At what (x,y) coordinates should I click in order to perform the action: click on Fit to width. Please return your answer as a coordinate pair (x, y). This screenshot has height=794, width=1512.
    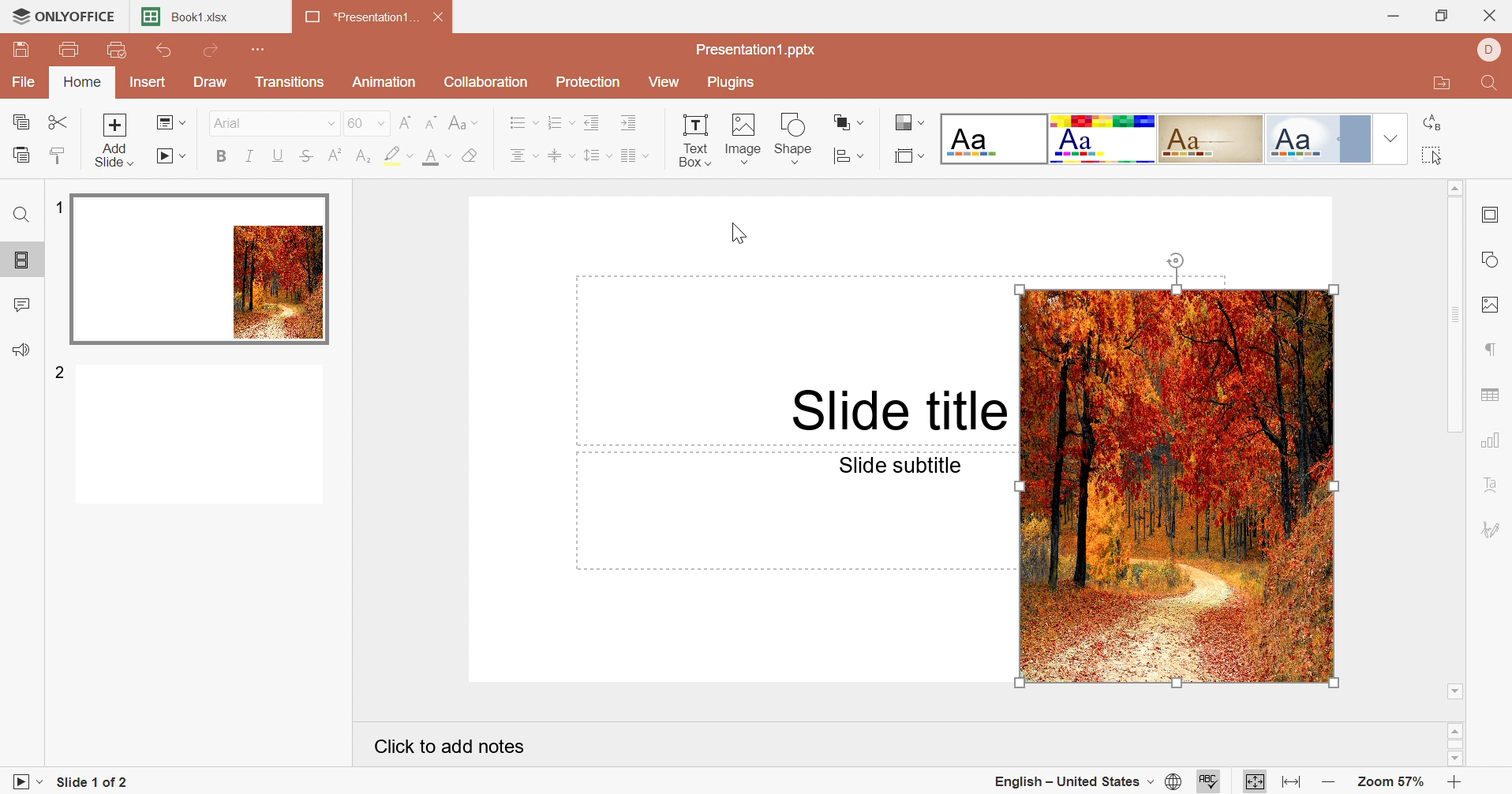
    Looking at the image, I should click on (1291, 782).